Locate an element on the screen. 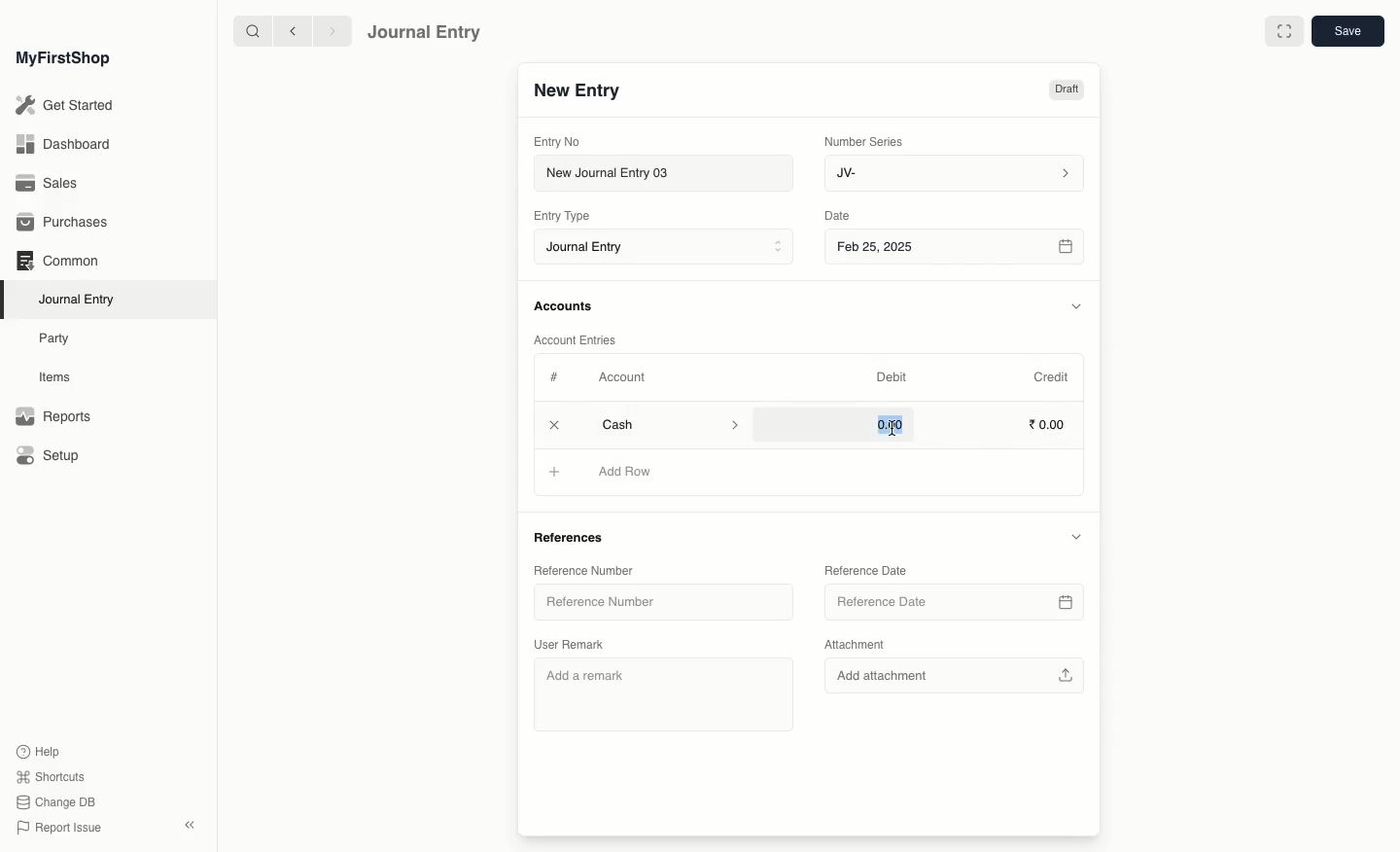 This screenshot has height=852, width=1400. Dashboard is located at coordinates (62, 143).